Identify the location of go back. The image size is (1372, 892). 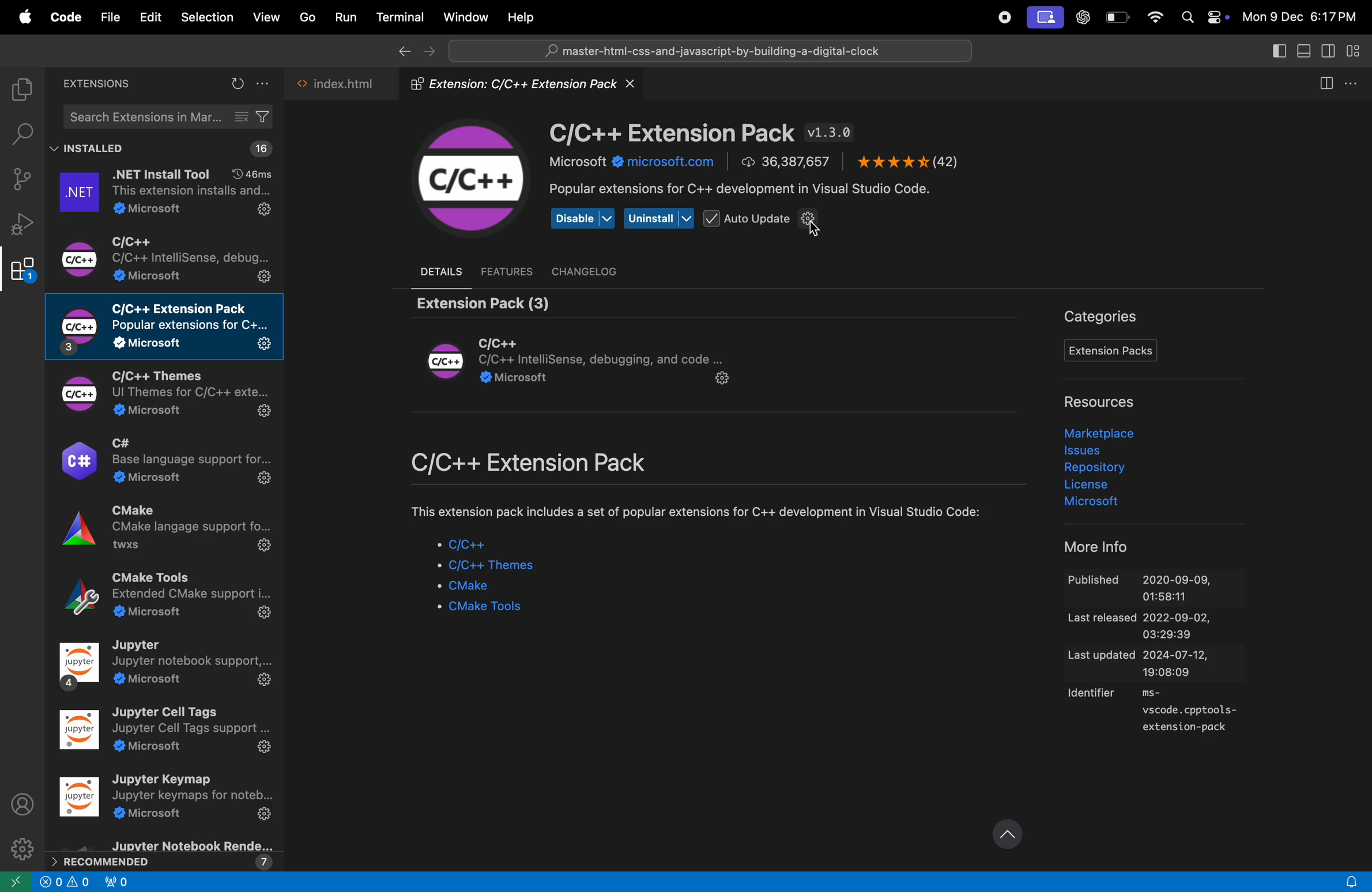
(402, 50).